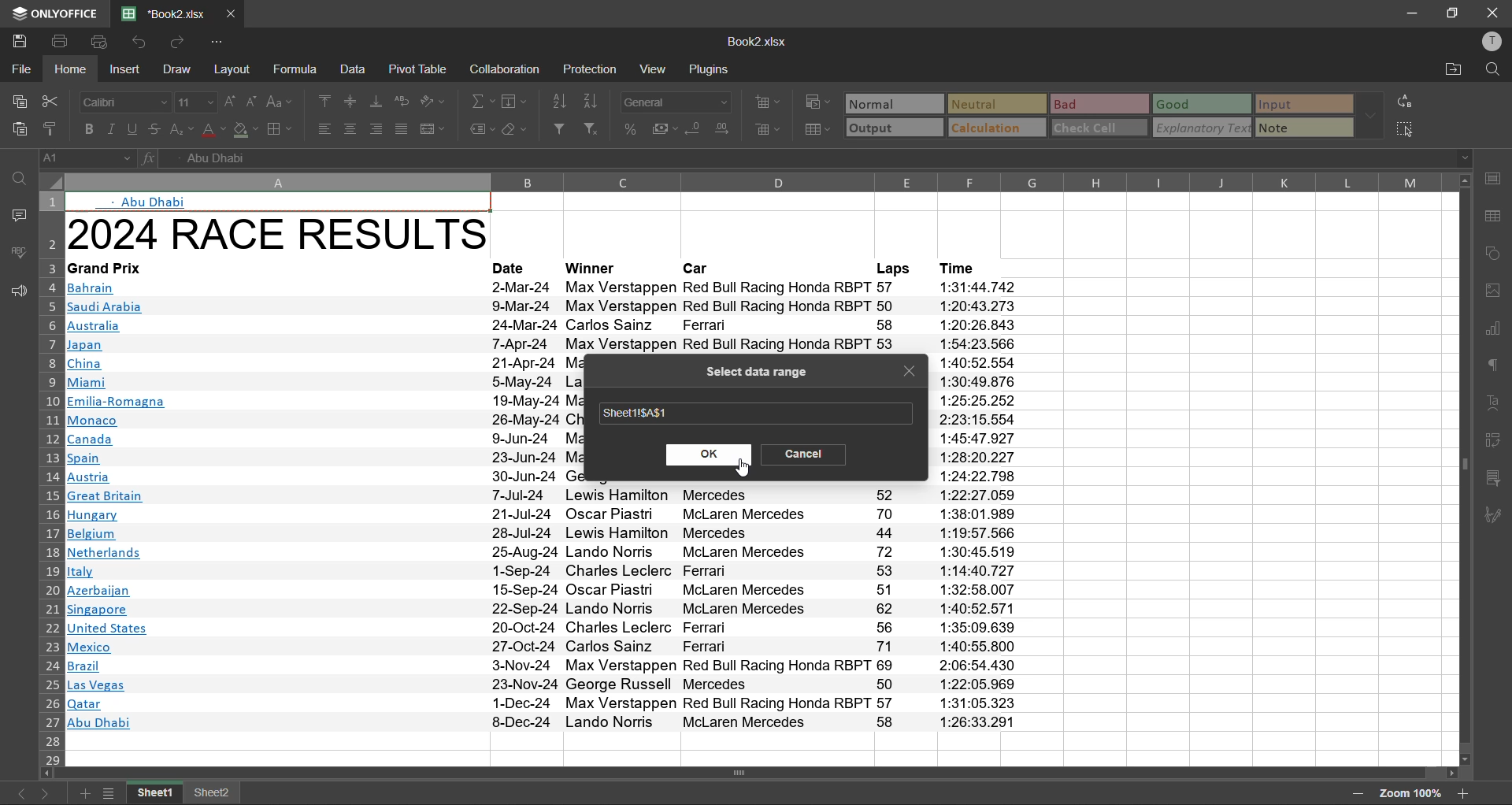 The height and width of the screenshot is (805, 1512). Describe the element at coordinates (756, 373) in the screenshot. I see `select data range` at that location.